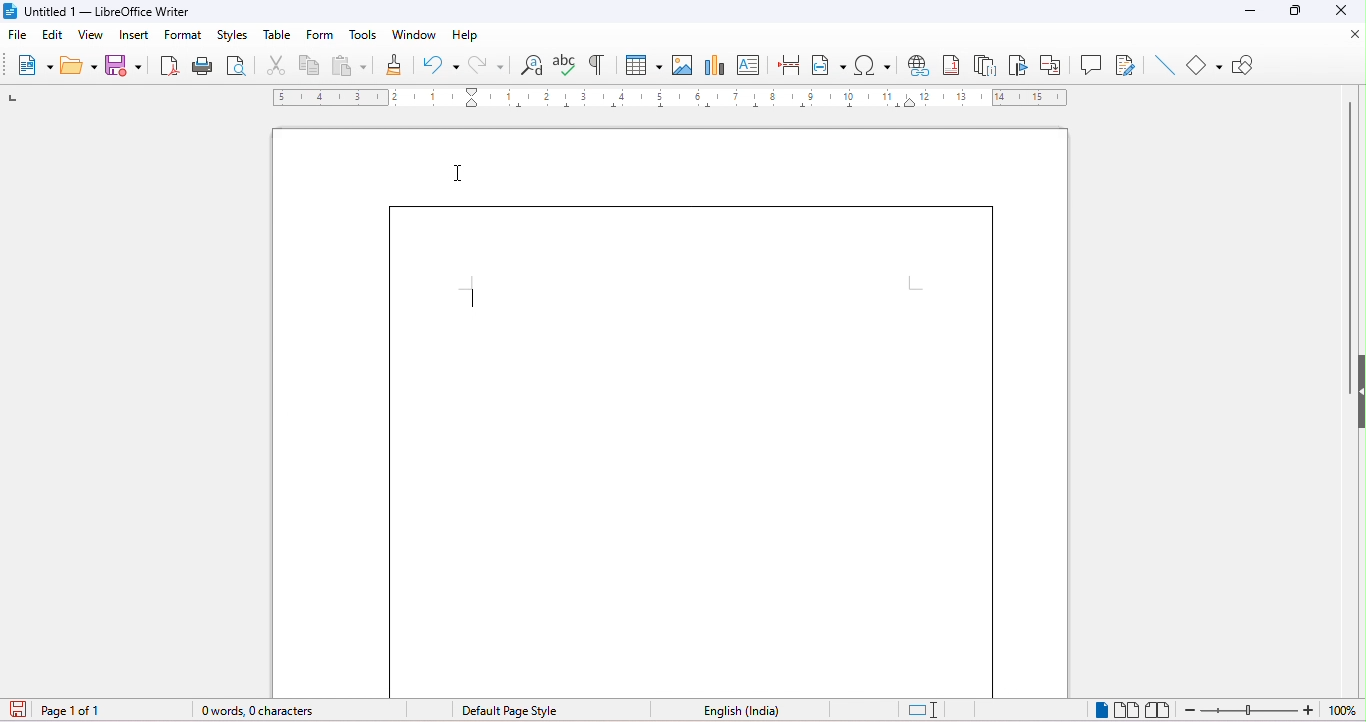  I want to click on vertical scroll bar, so click(1353, 221).